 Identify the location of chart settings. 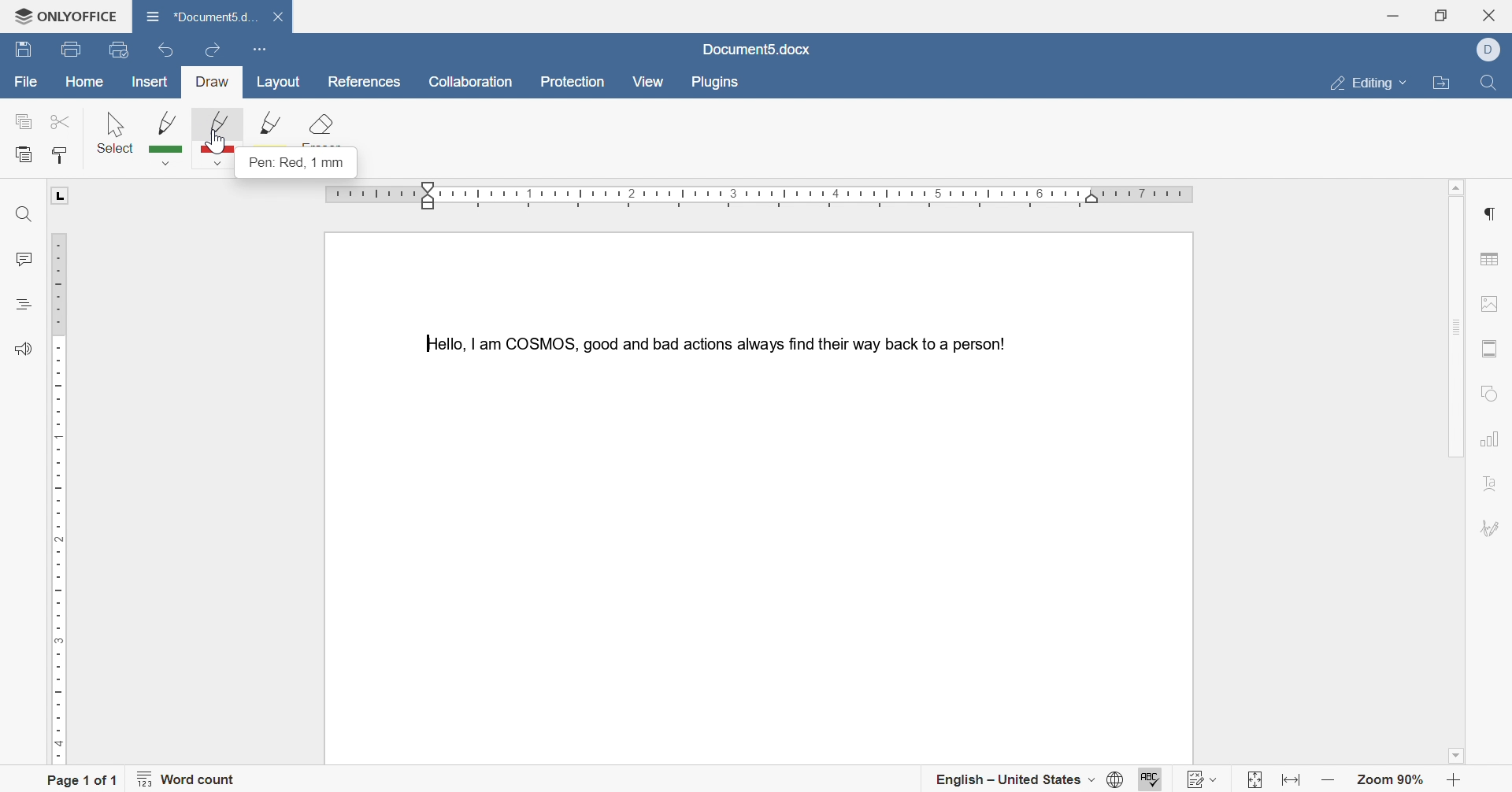
(1490, 441).